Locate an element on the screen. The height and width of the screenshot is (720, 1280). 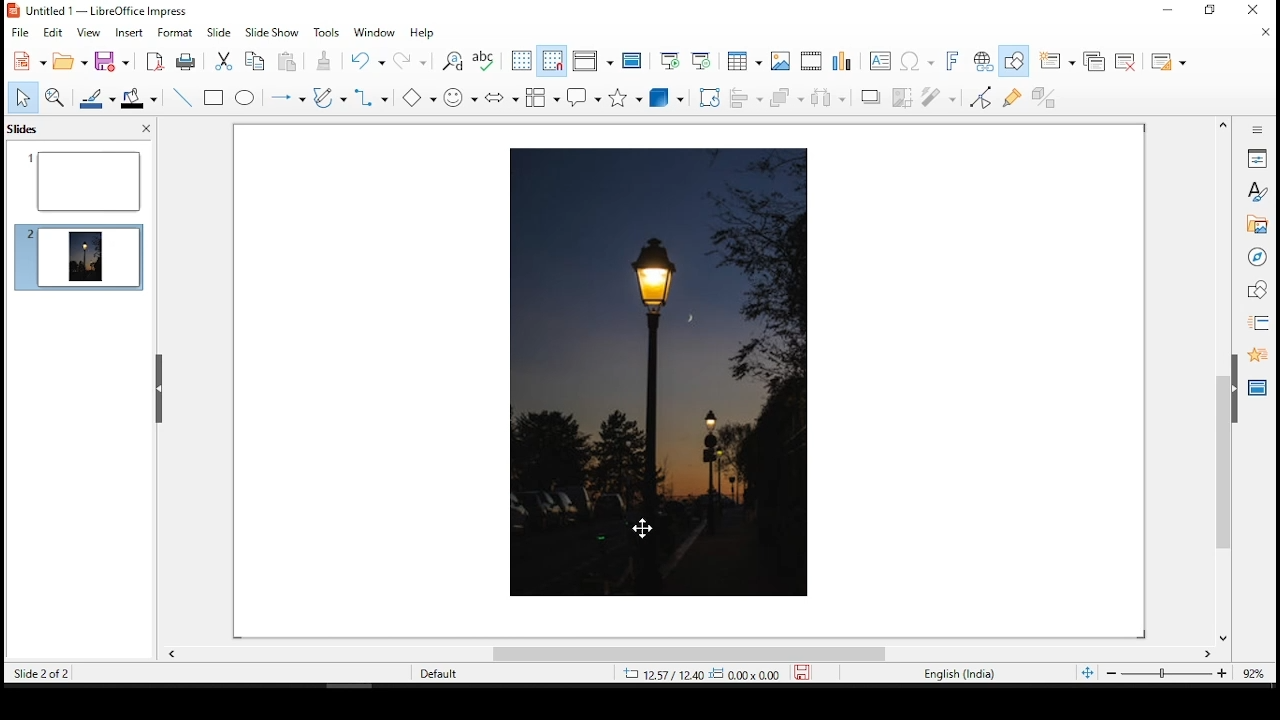
slide 1 is located at coordinates (85, 180).